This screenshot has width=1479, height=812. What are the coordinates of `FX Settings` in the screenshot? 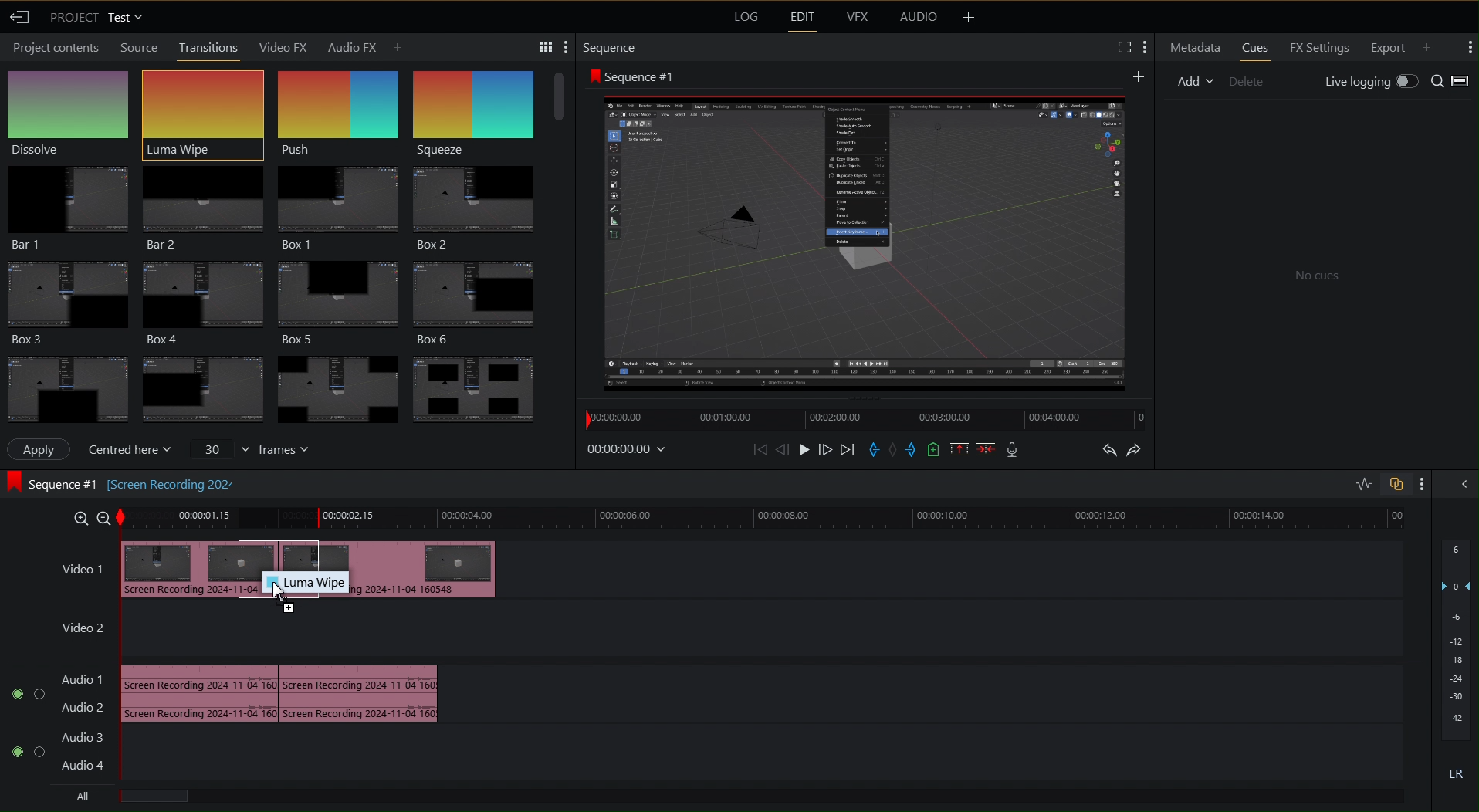 It's located at (1320, 48).